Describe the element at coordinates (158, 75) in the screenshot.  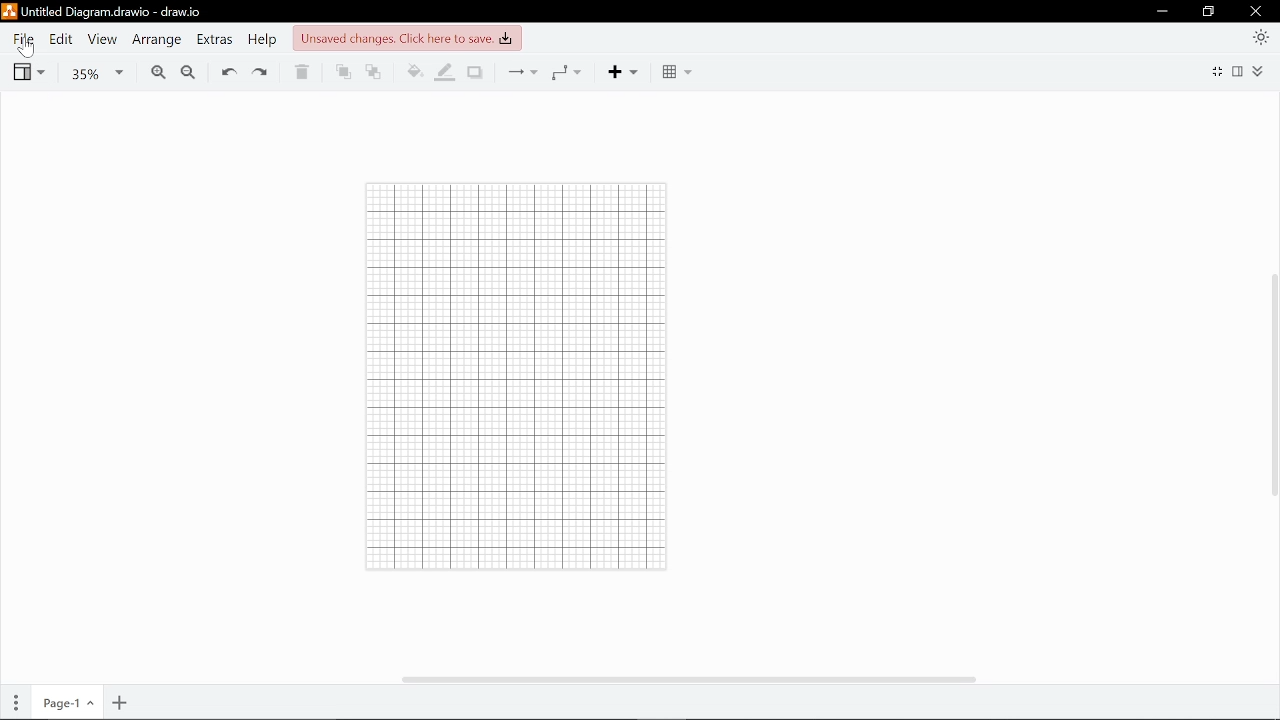
I see `Zoom in` at that location.